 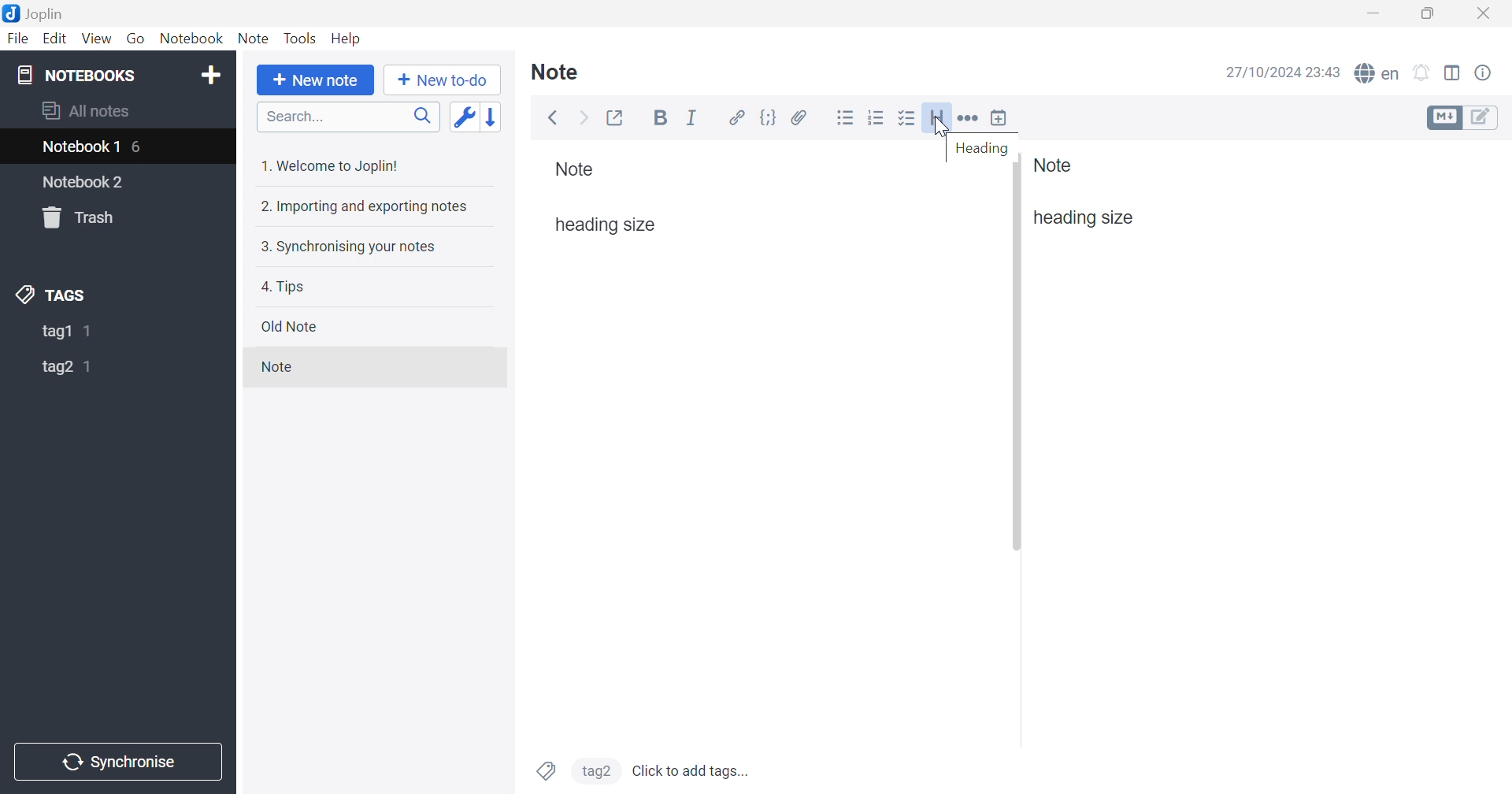 What do you see at coordinates (907, 119) in the screenshot?
I see `Checkbox` at bounding box center [907, 119].